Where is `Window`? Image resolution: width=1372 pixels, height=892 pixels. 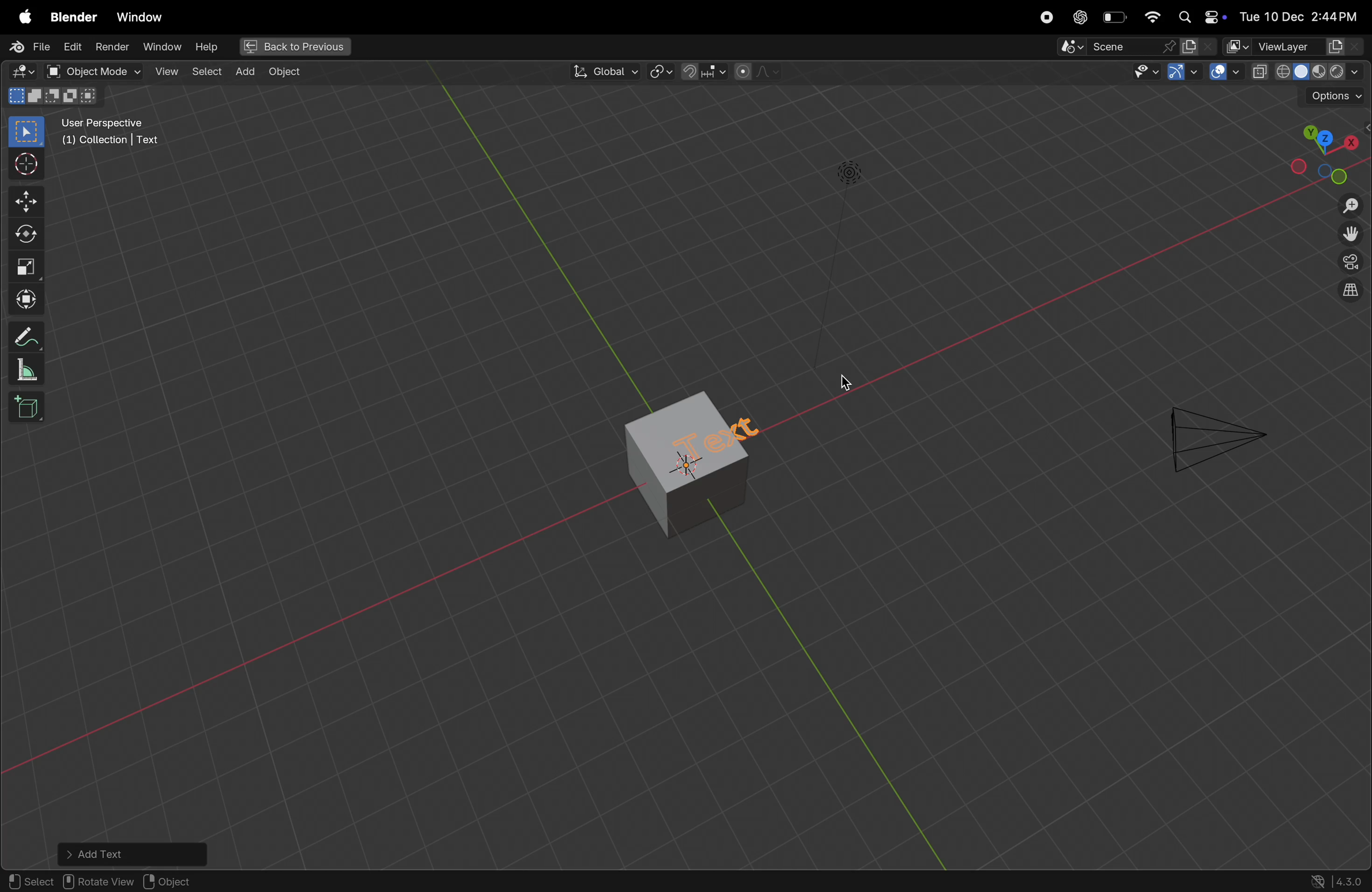
Window is located at coordinates (141, 14).